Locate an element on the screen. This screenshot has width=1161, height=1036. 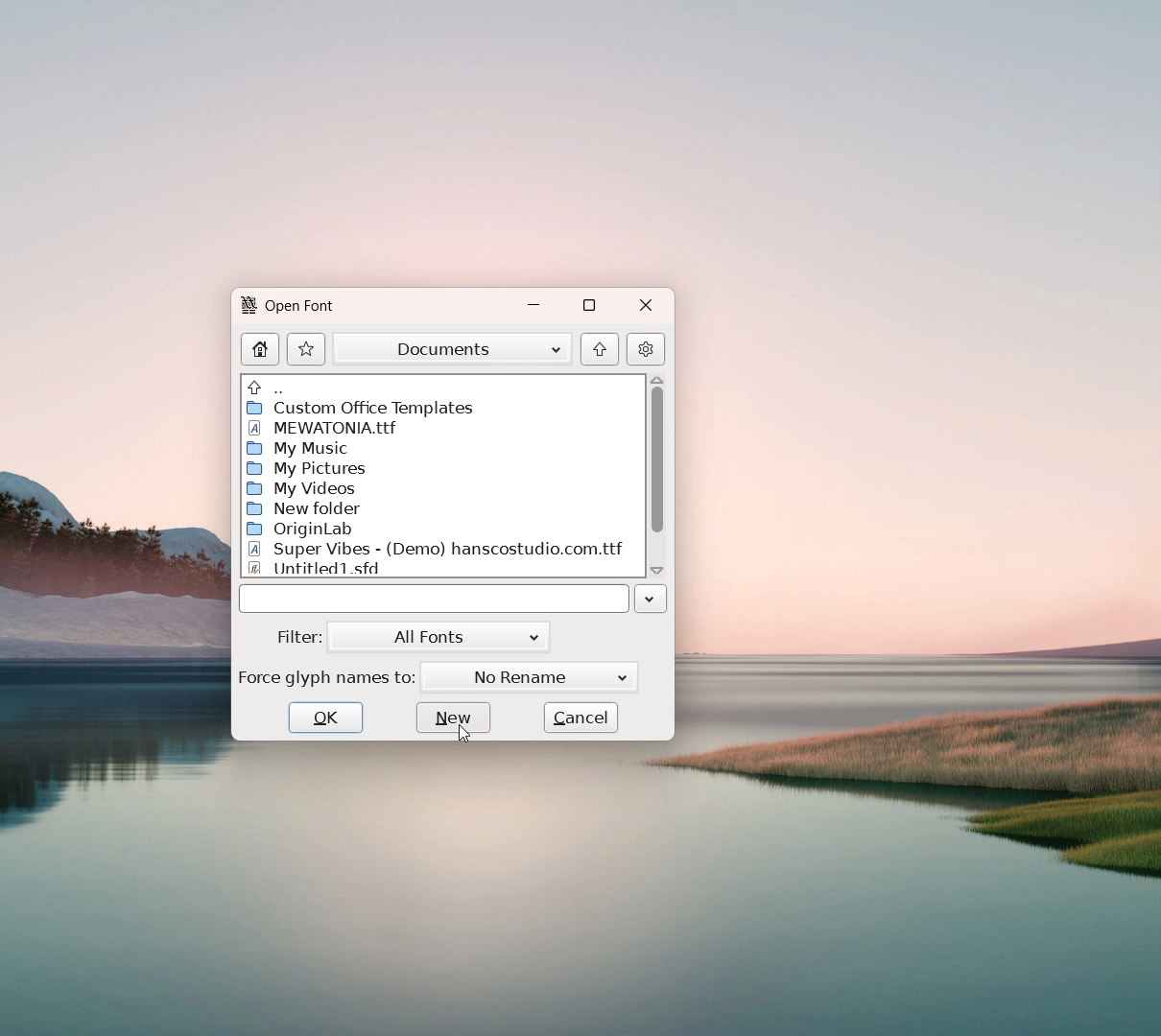
scroll up is located at coordinates (657, 378).